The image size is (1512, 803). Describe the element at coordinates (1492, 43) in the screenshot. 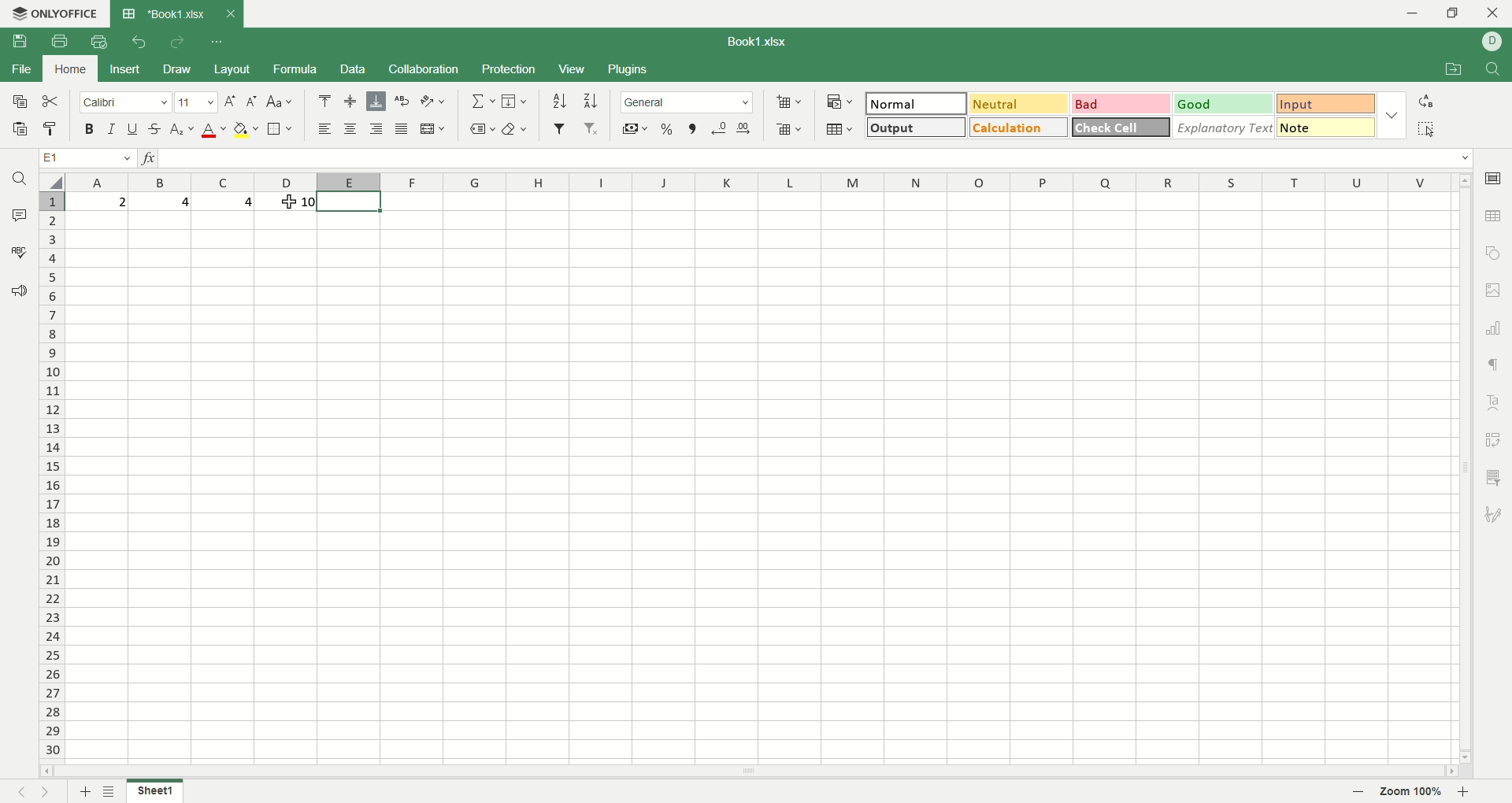

I see `account` at that location.